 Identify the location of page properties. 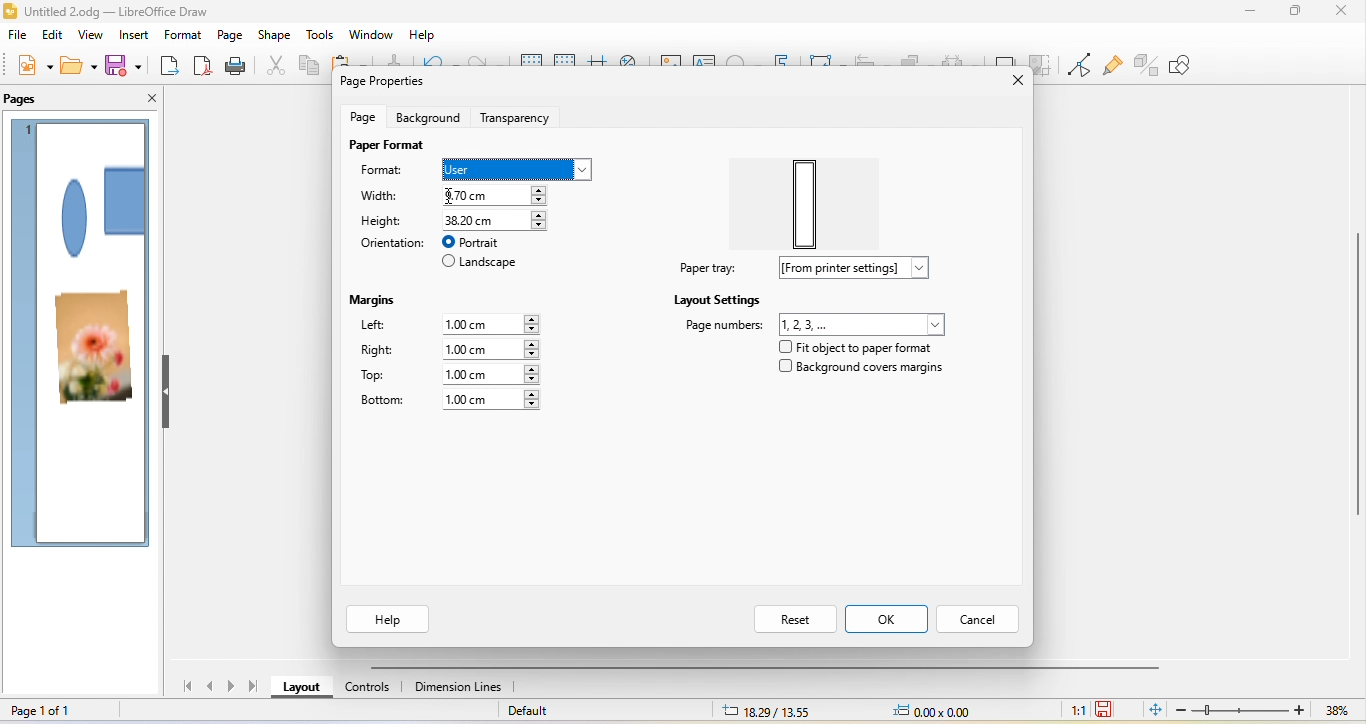
(409, 82).